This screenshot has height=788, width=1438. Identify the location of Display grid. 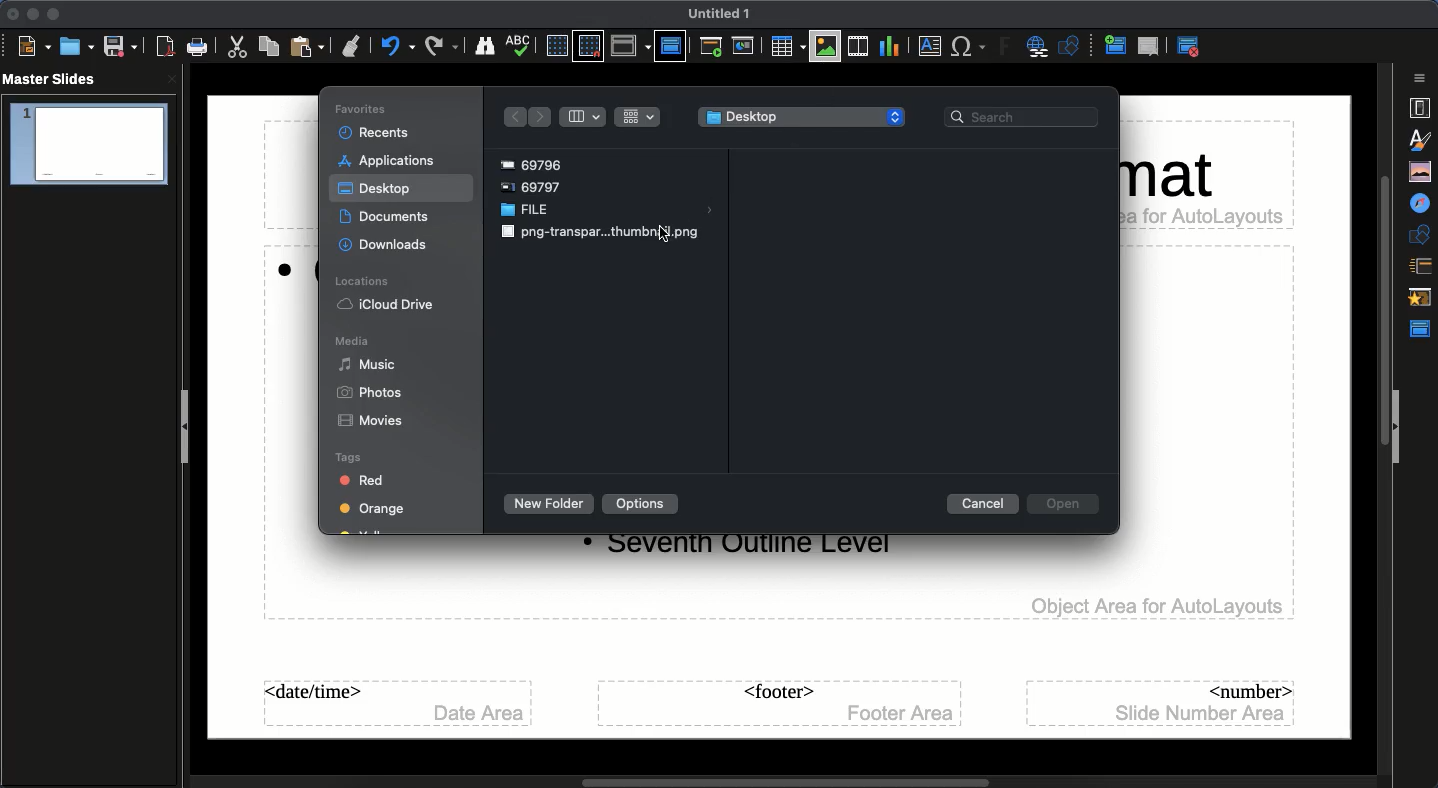
(555, 45).